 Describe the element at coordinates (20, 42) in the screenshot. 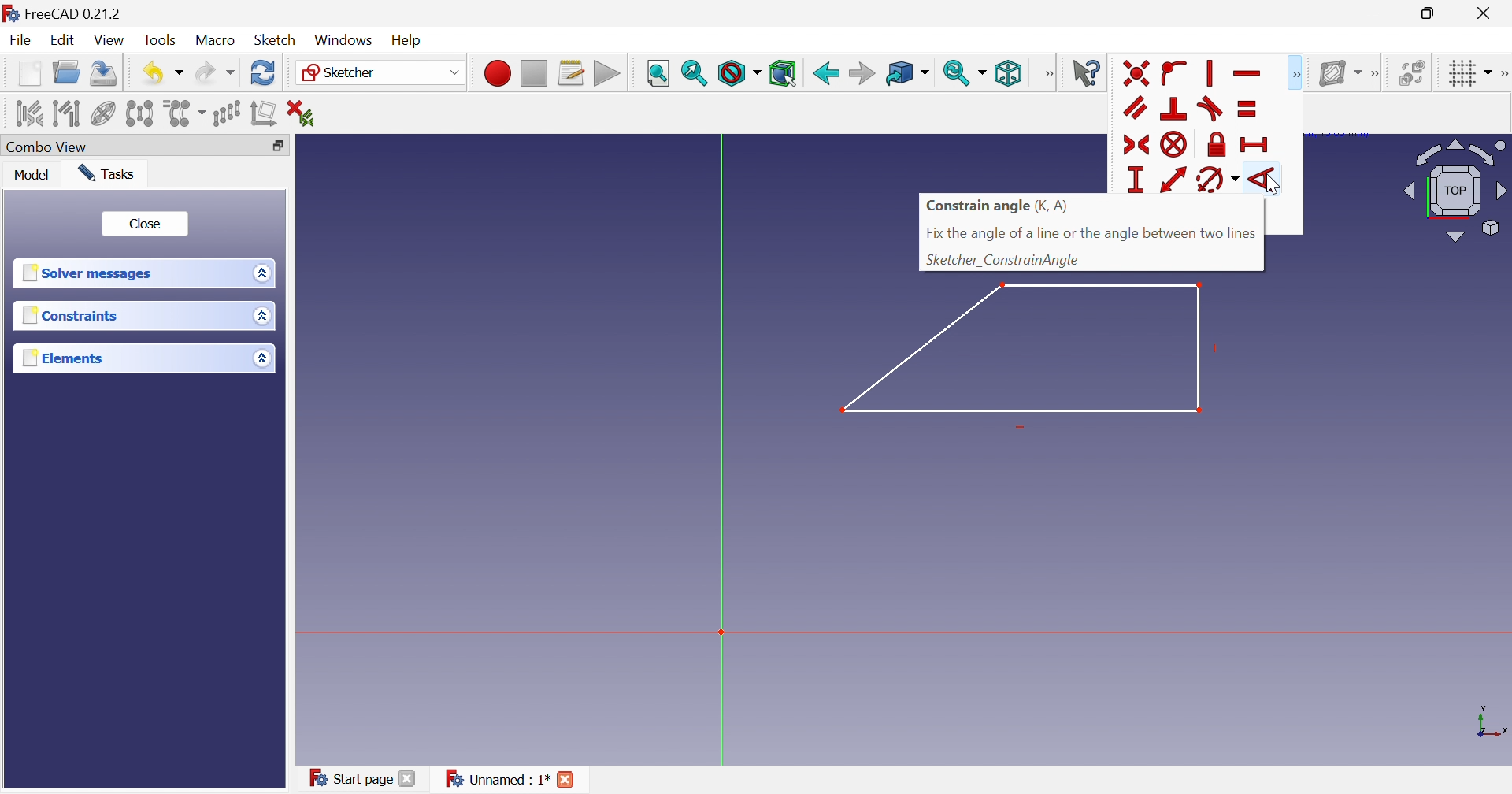

I see `File` at that location.